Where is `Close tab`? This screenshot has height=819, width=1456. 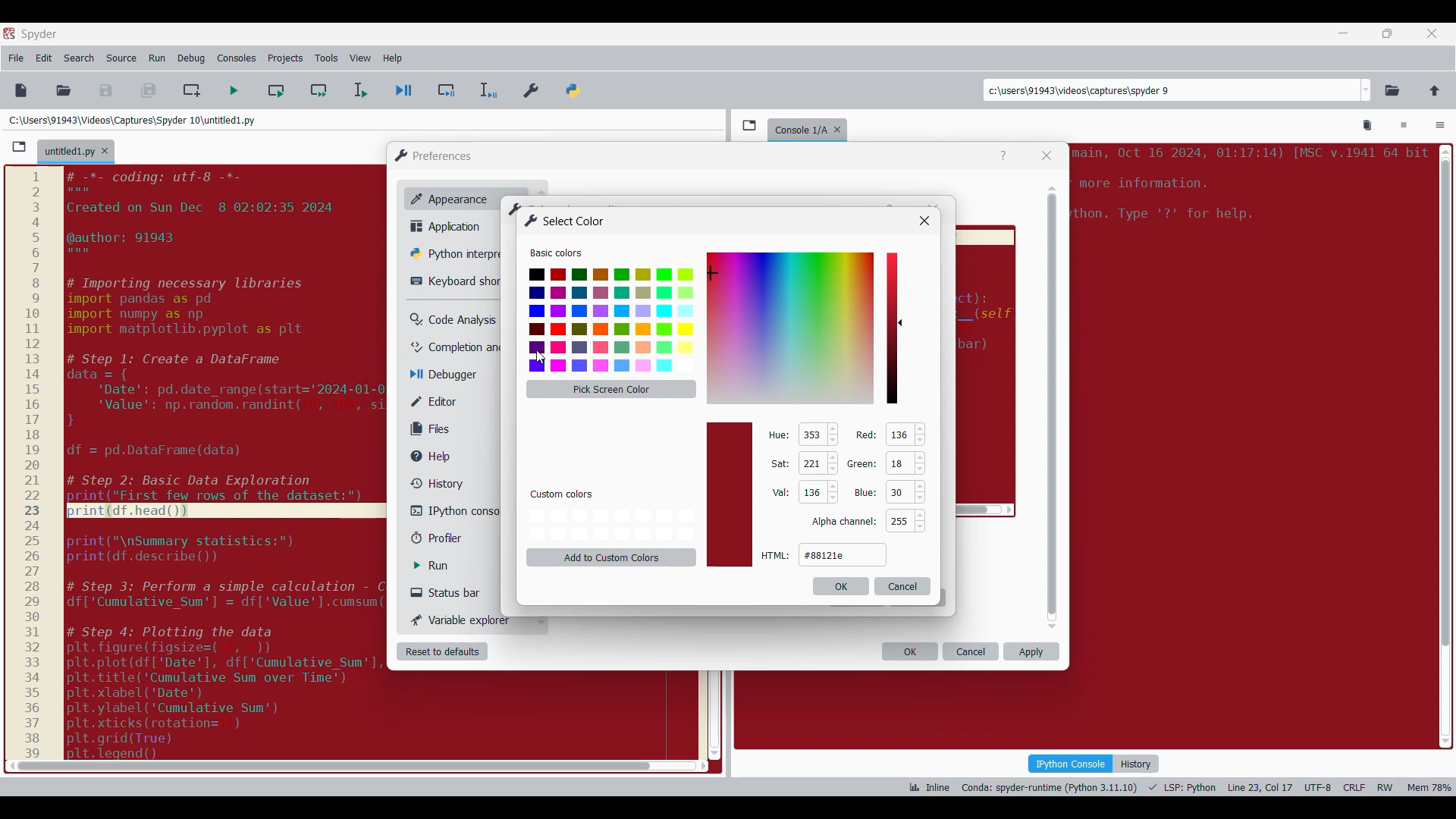
Close tab is located at coordinates (1432, 33).